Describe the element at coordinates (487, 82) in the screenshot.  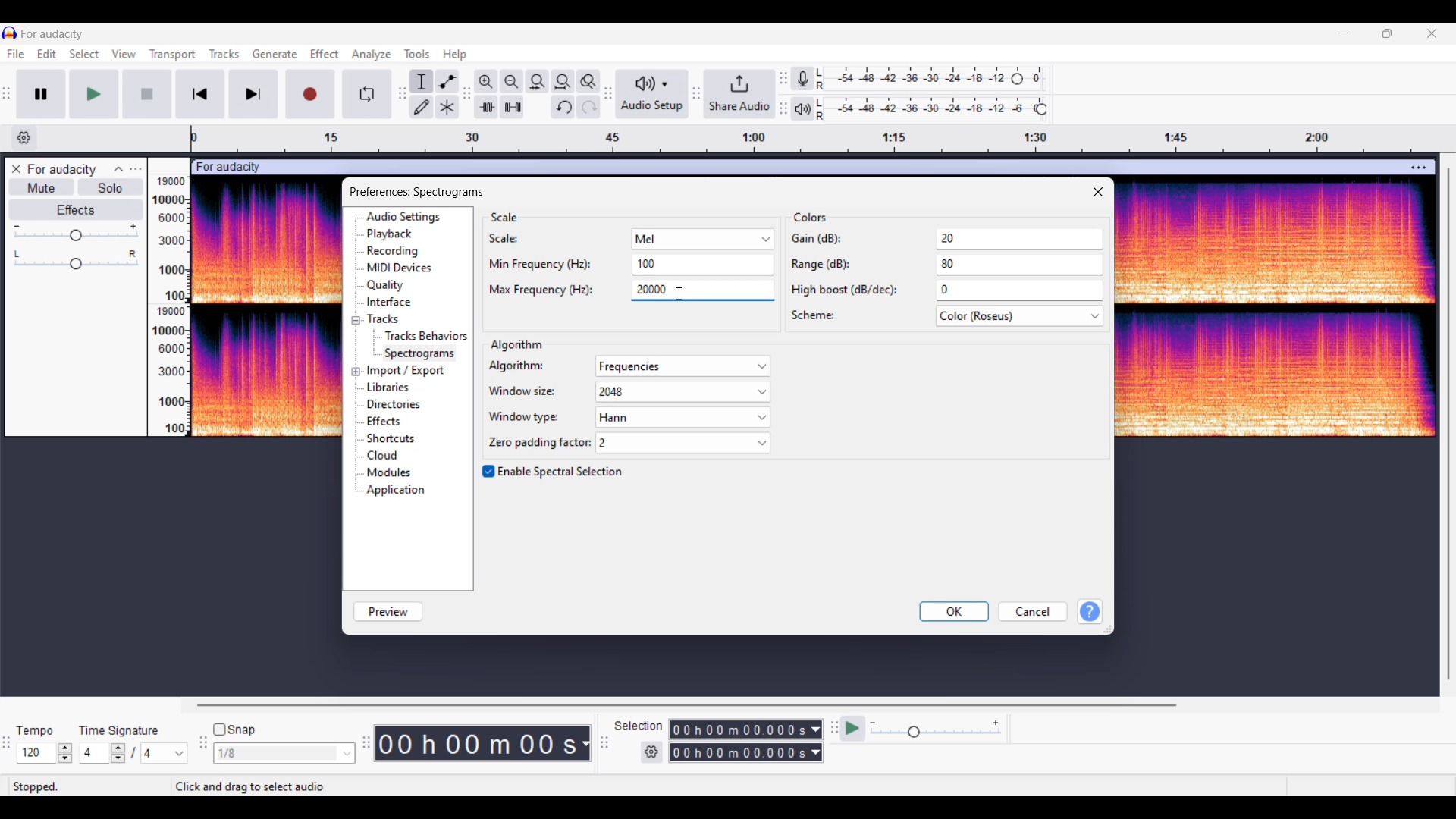
I see `Zoom in` at that location.